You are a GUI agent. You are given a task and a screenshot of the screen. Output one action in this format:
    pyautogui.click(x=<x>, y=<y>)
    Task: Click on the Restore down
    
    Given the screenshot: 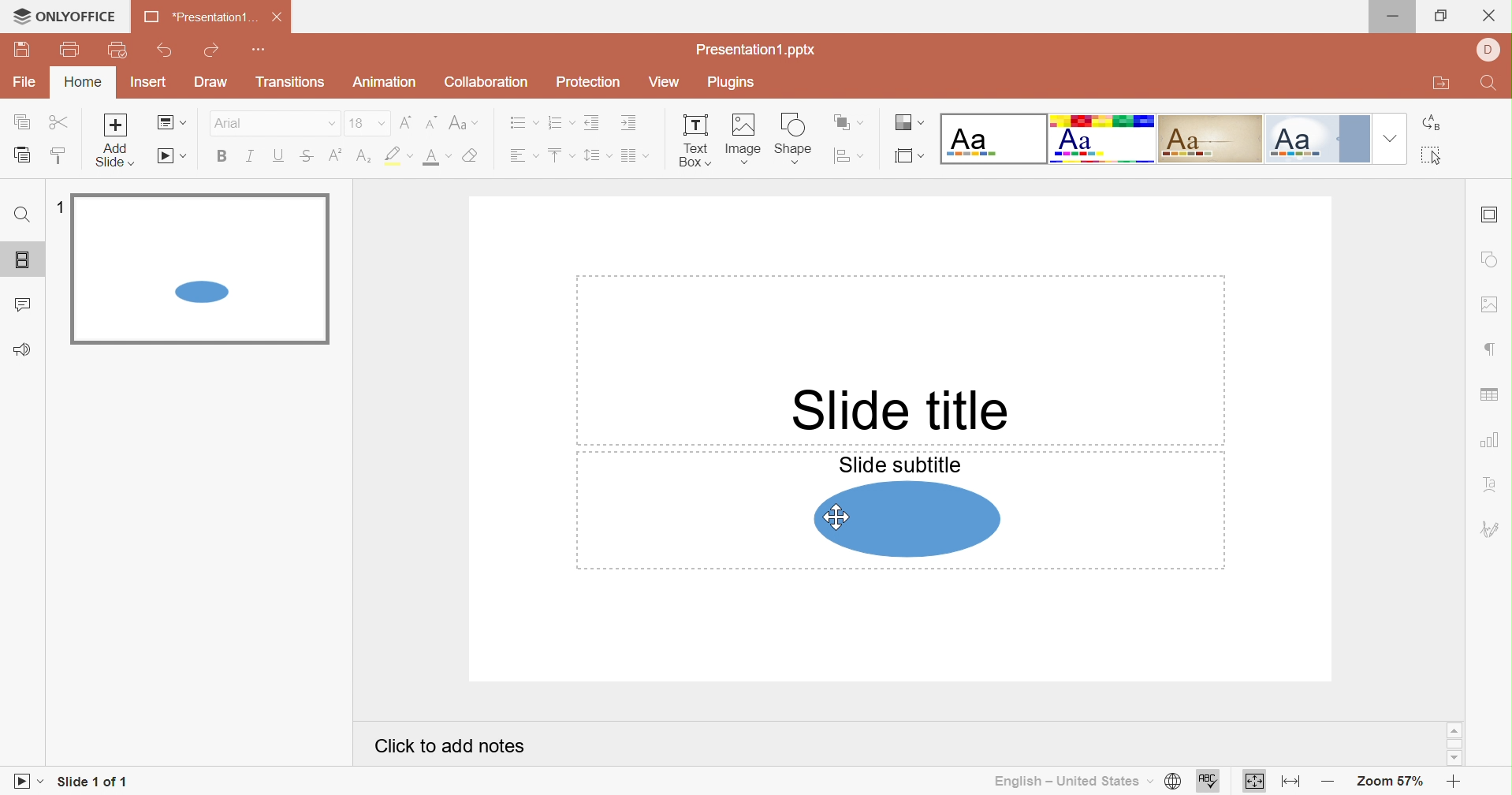 What is the action you would take?
    pyautogui.click(x=1439, y=17)
    